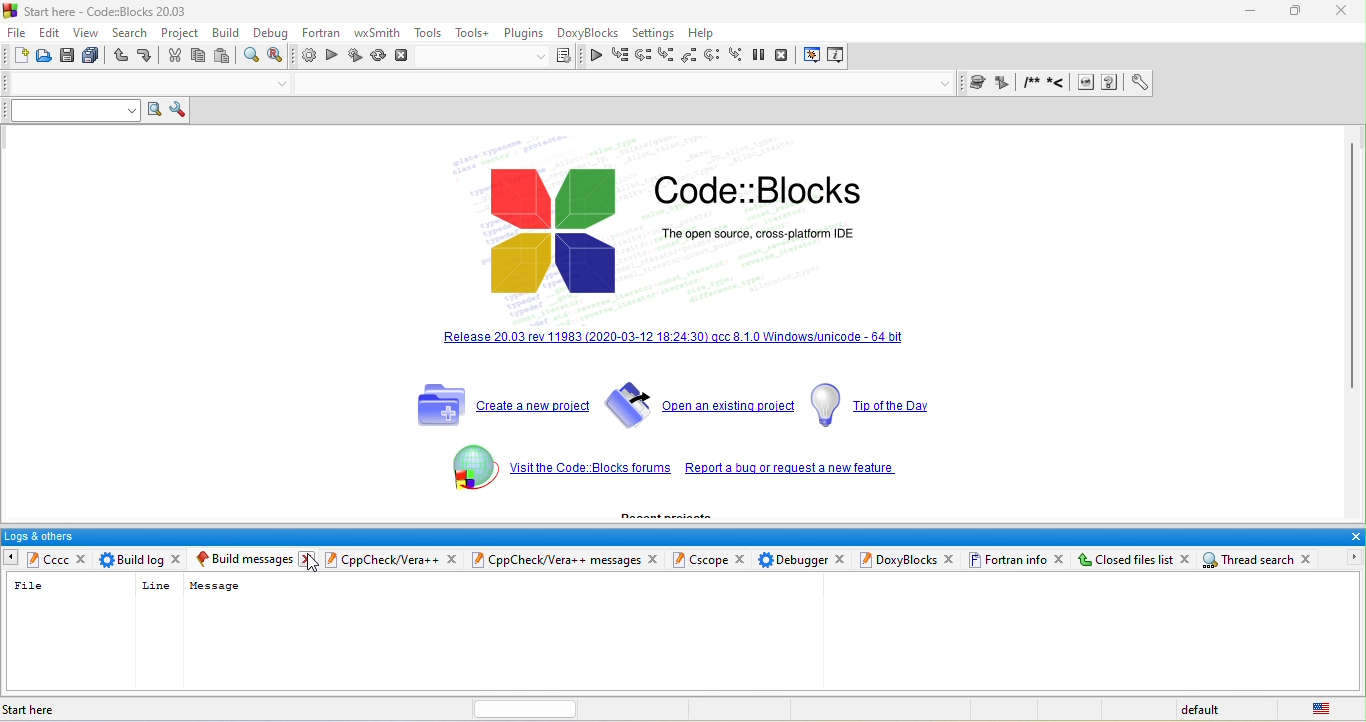 This screenshot has height=722, width=1366. I want to click on wxsmith, so click(378, 34).